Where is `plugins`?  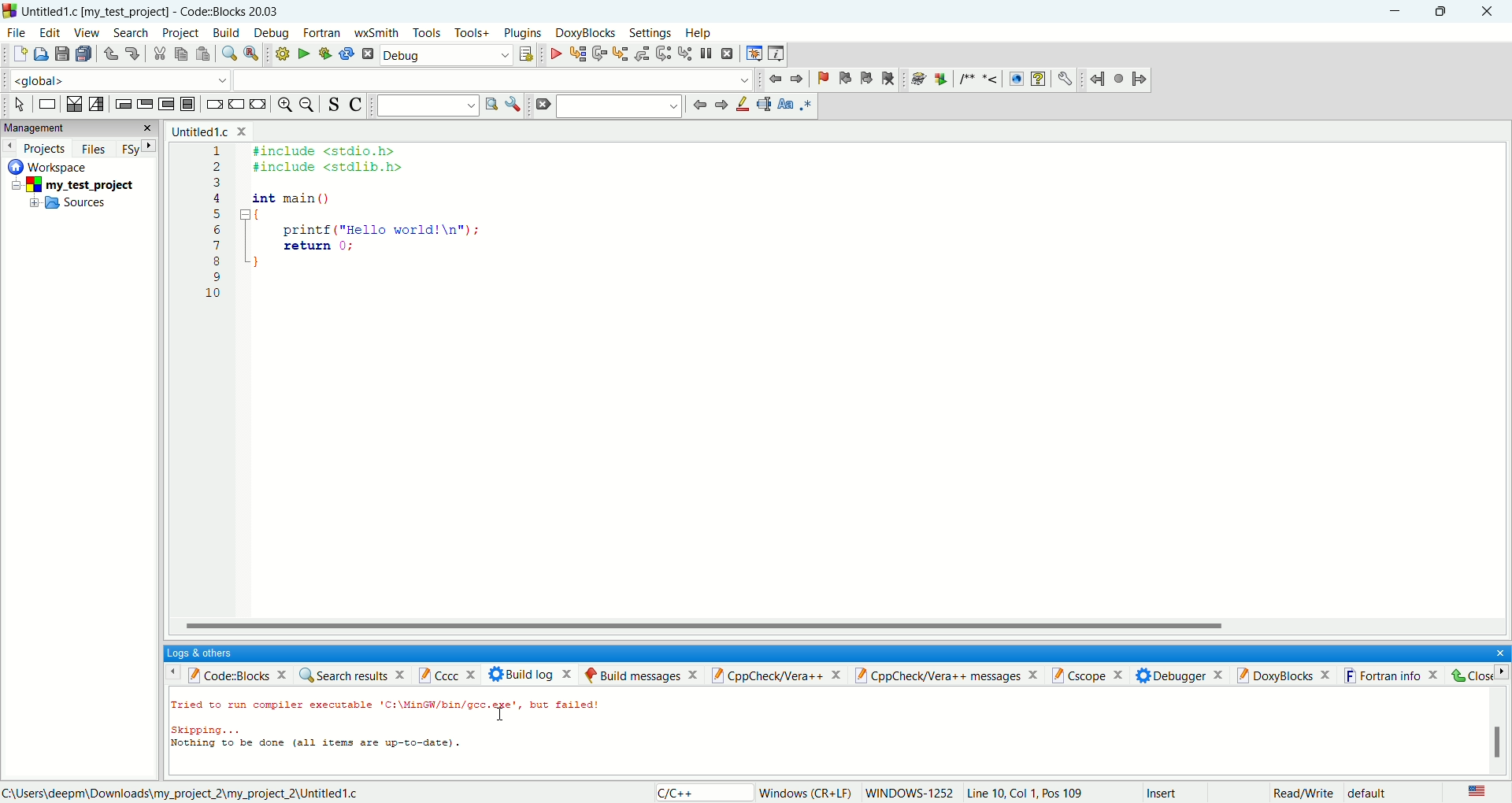 plugins is located at coordinates (524, 34).